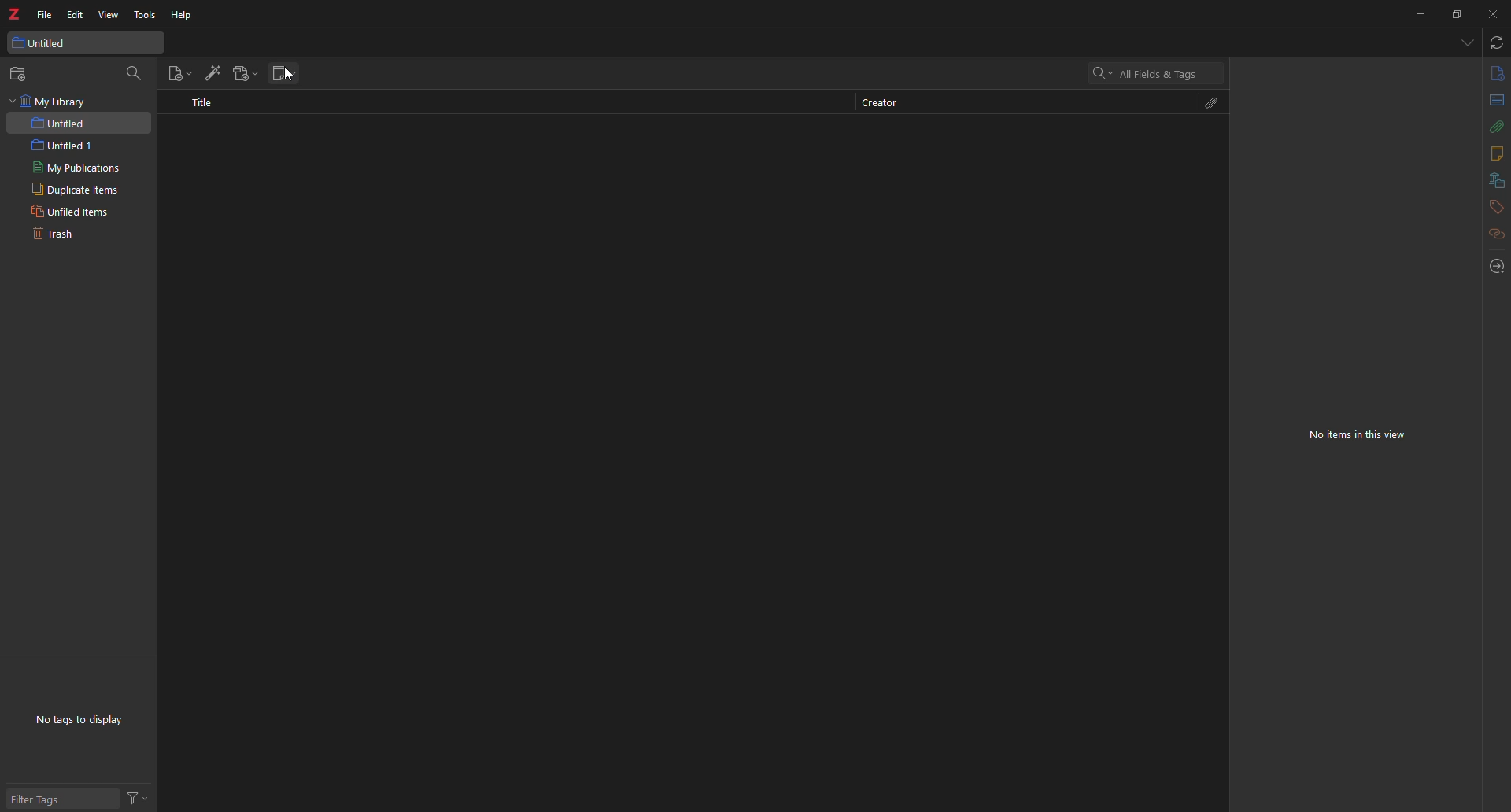  What do you see at coordinates (109, 15) in the screenshot?
I see `view` at bounding box center [109, 15].